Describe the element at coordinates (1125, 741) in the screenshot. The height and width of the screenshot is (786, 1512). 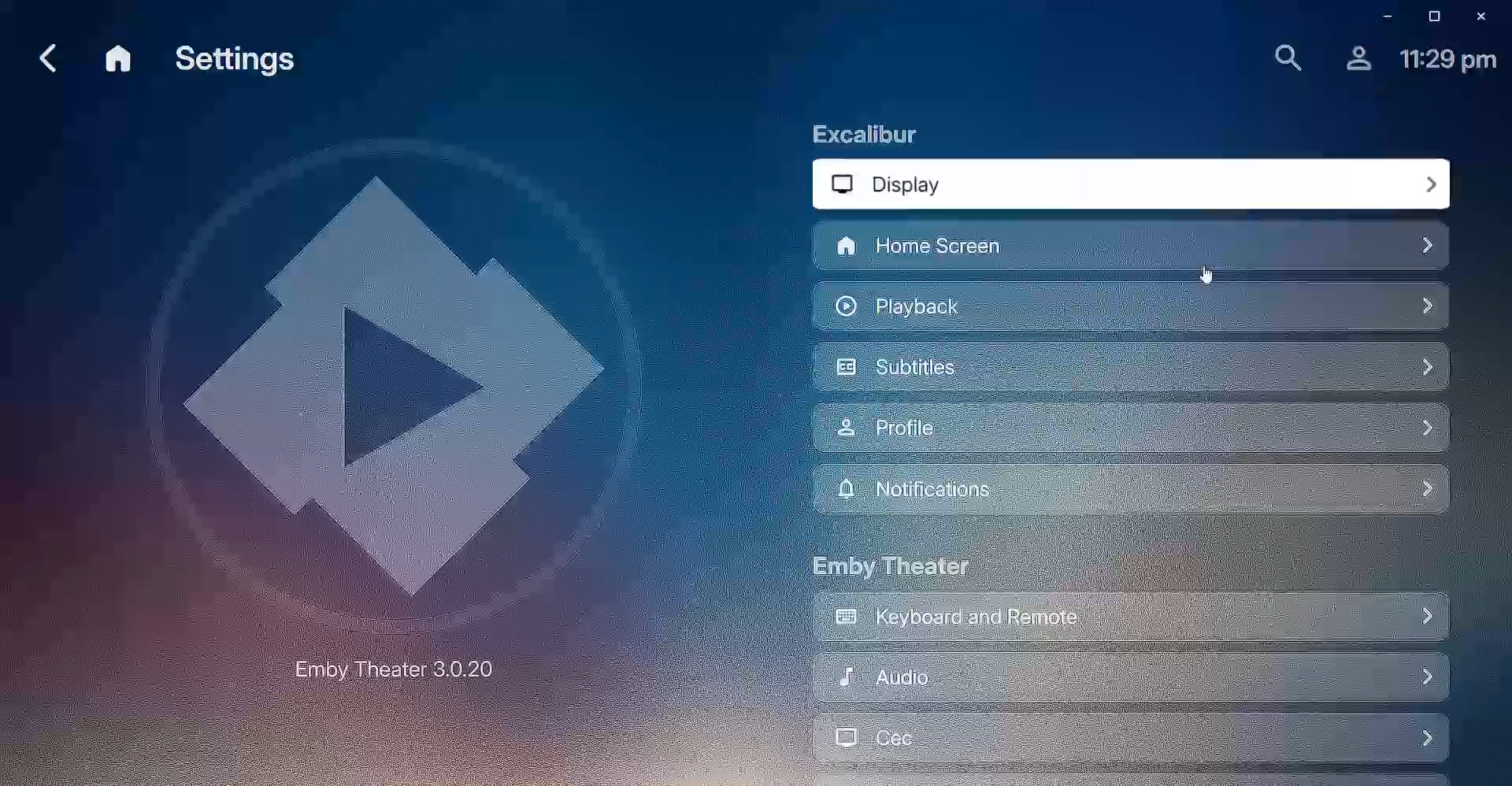
I see `Cec` at that location.